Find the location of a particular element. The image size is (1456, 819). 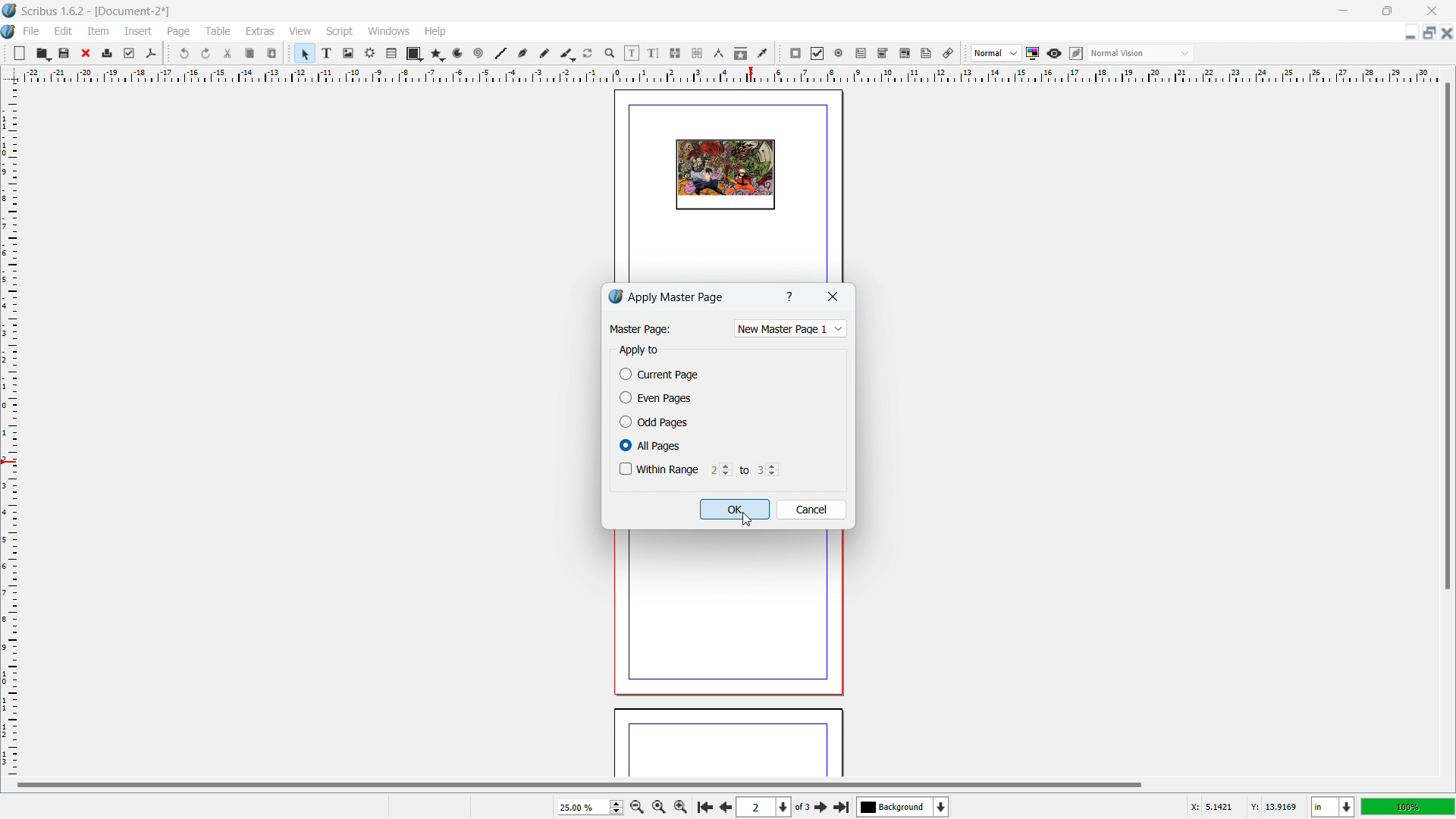

cursor coordinate is located at coordinates (1243, 805).